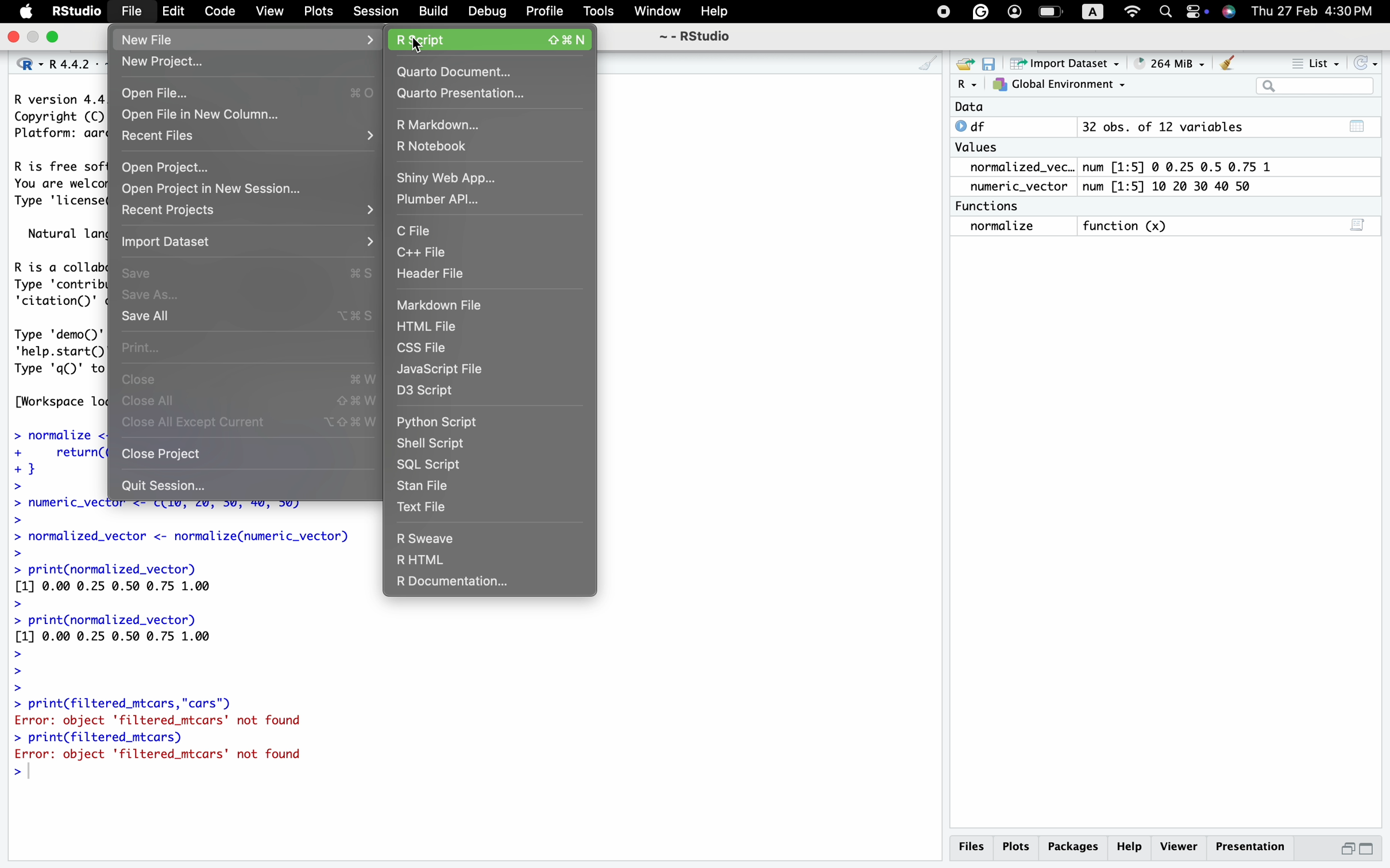  Describe the element at coordinates (1018, 166) in the screenshot. I see `normalized_vec..` at that location.